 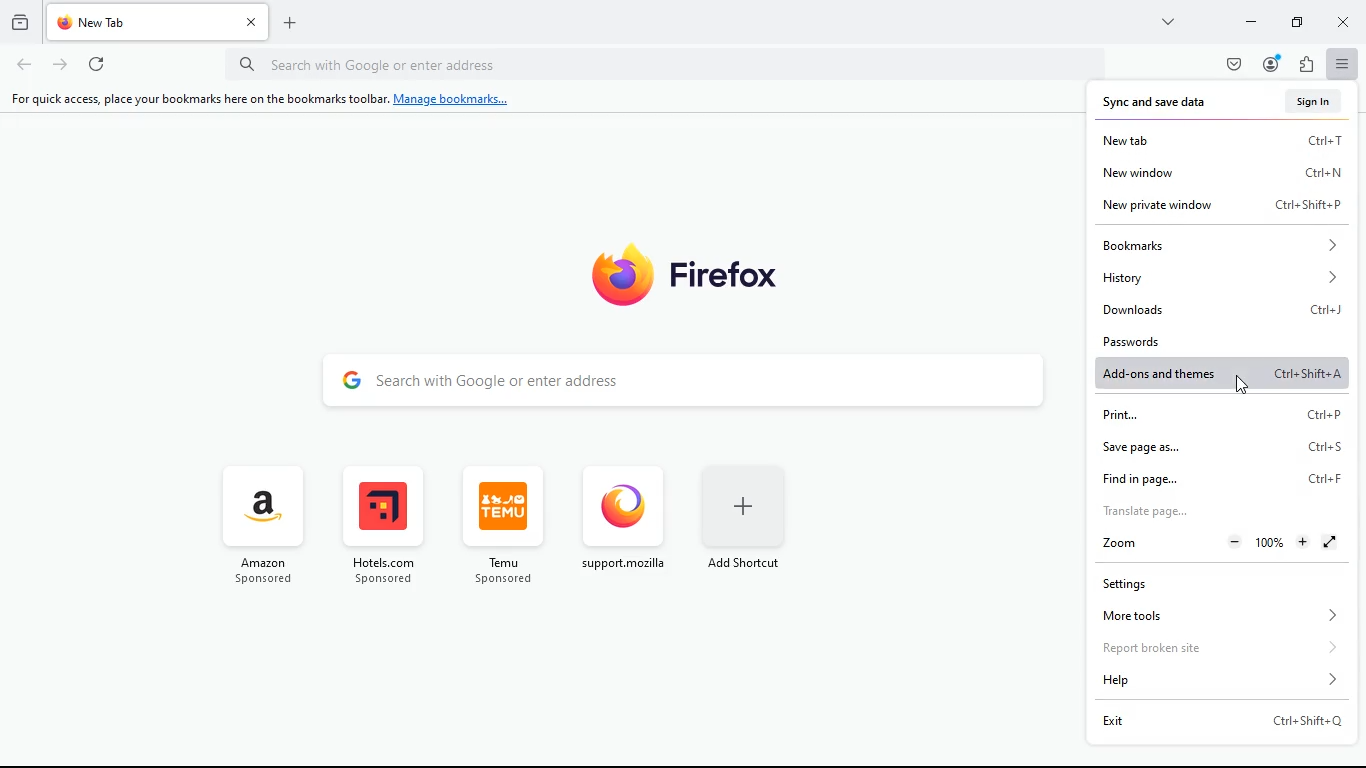 I want to click on zoom, so click(x=1147, y=544).